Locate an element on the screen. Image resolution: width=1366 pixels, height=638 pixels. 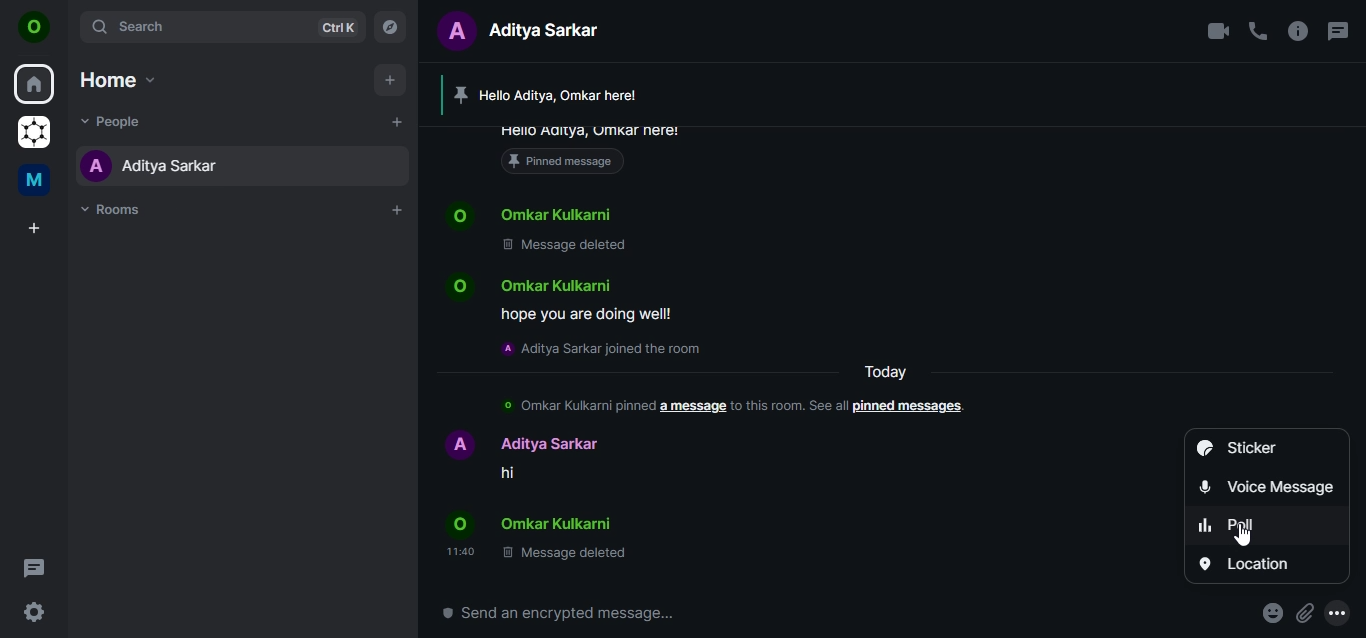
aditya sarkar is located at coordinates (151, 165).